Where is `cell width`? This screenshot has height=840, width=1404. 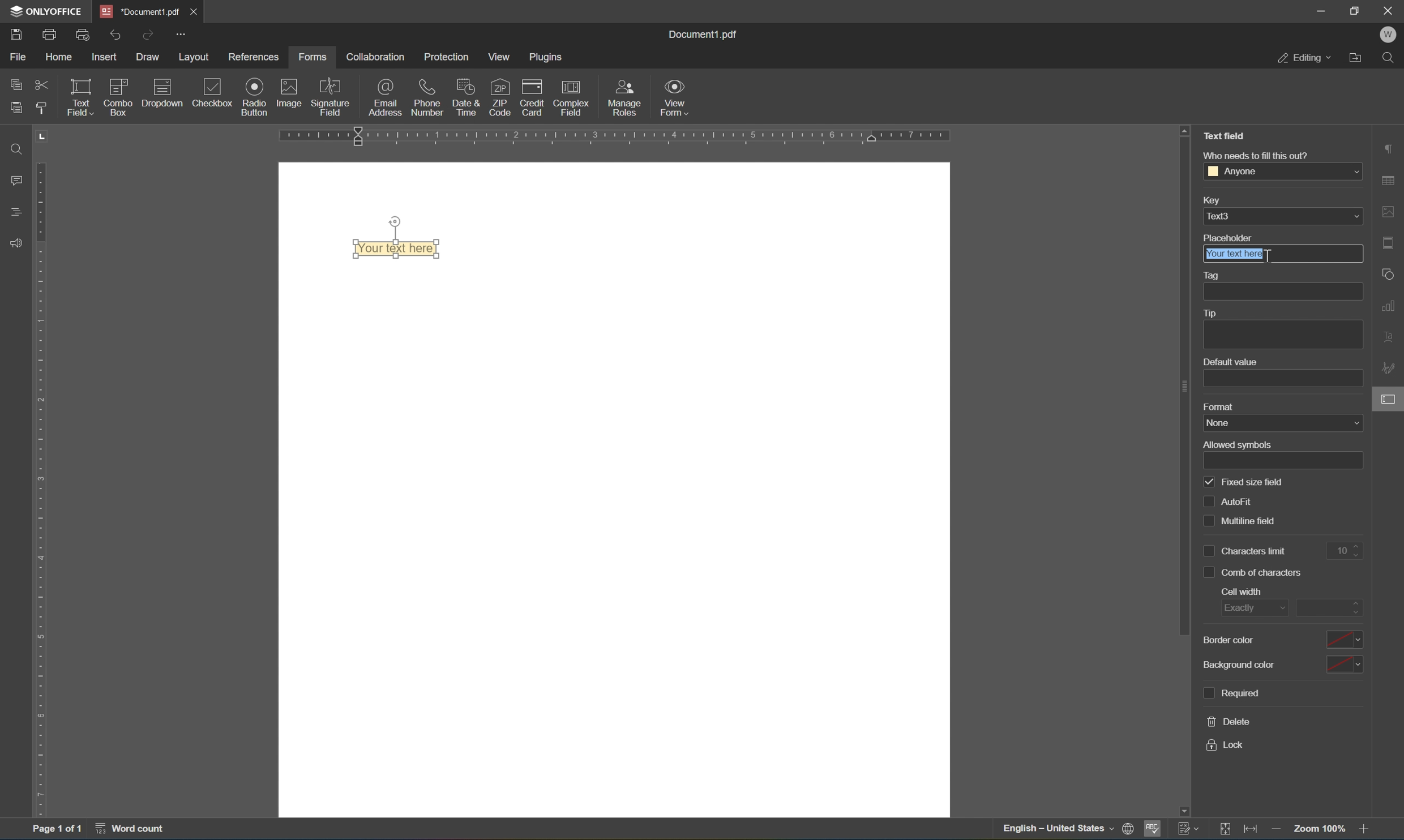
cell width is located at coordinates (1242, 590).